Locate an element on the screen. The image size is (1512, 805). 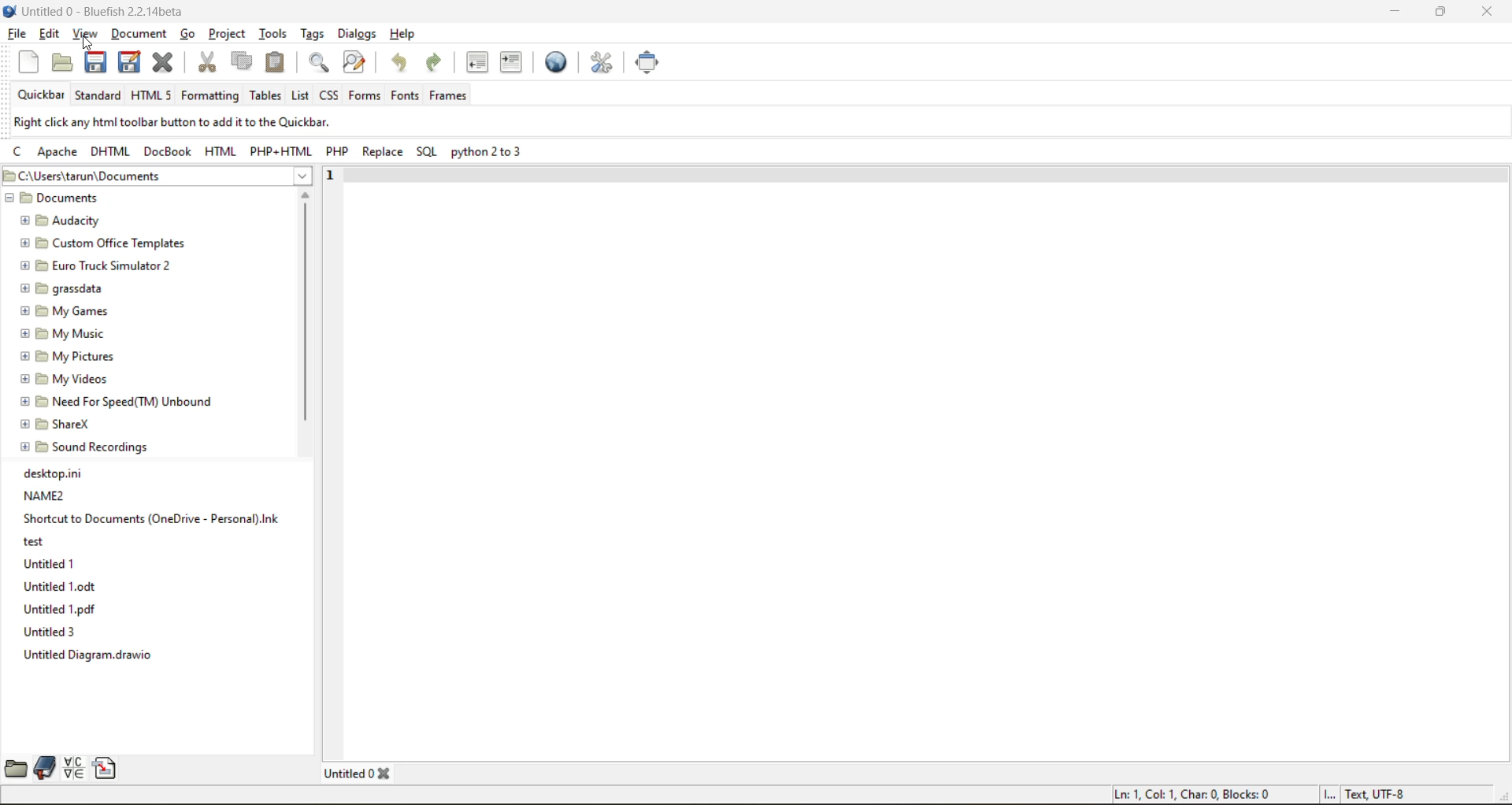
php is located at coordinates (339, 152).